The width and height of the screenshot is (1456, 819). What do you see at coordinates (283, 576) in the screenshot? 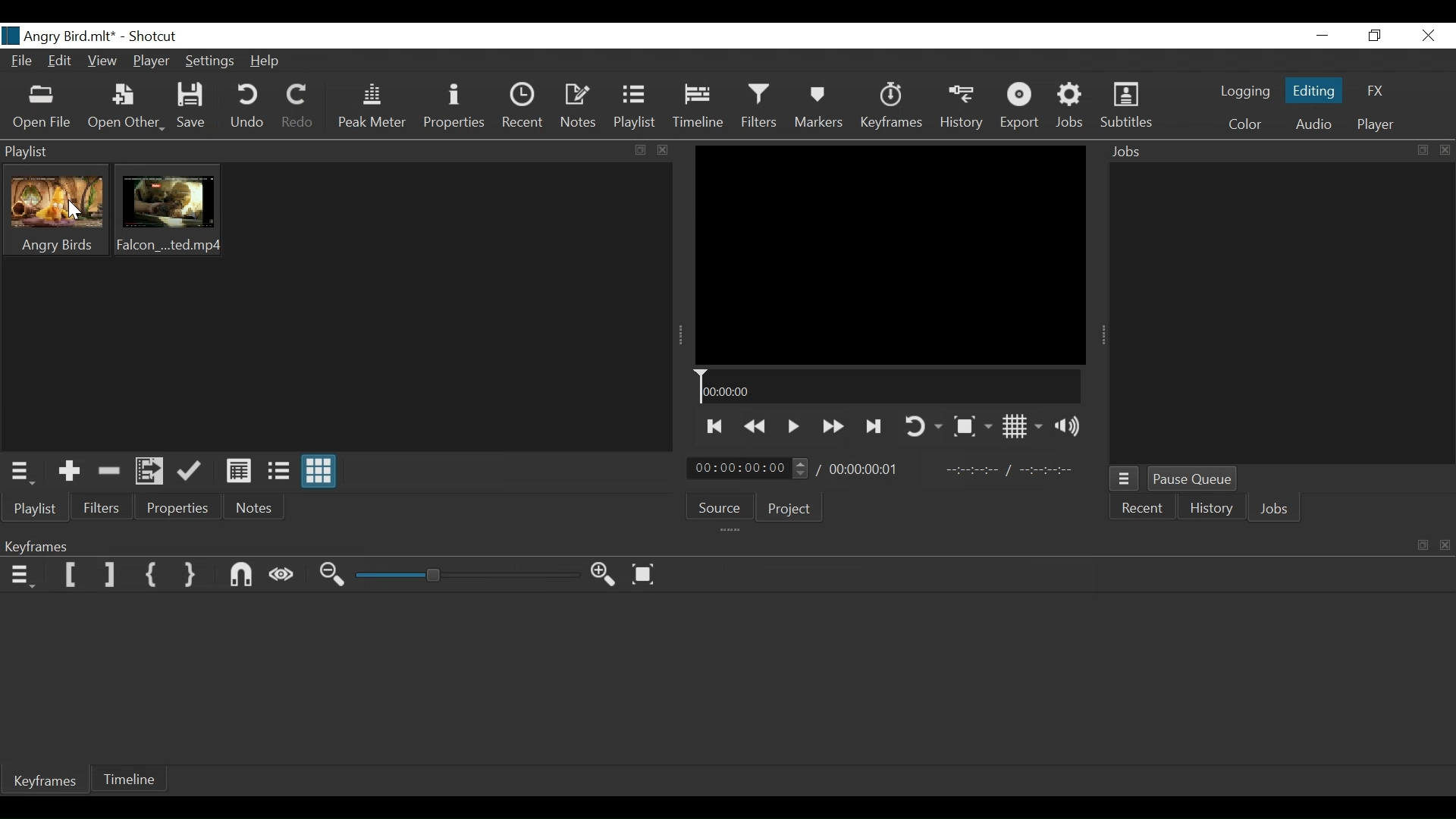
I see `Scrub while dragging` at bounding box center [283, 576].